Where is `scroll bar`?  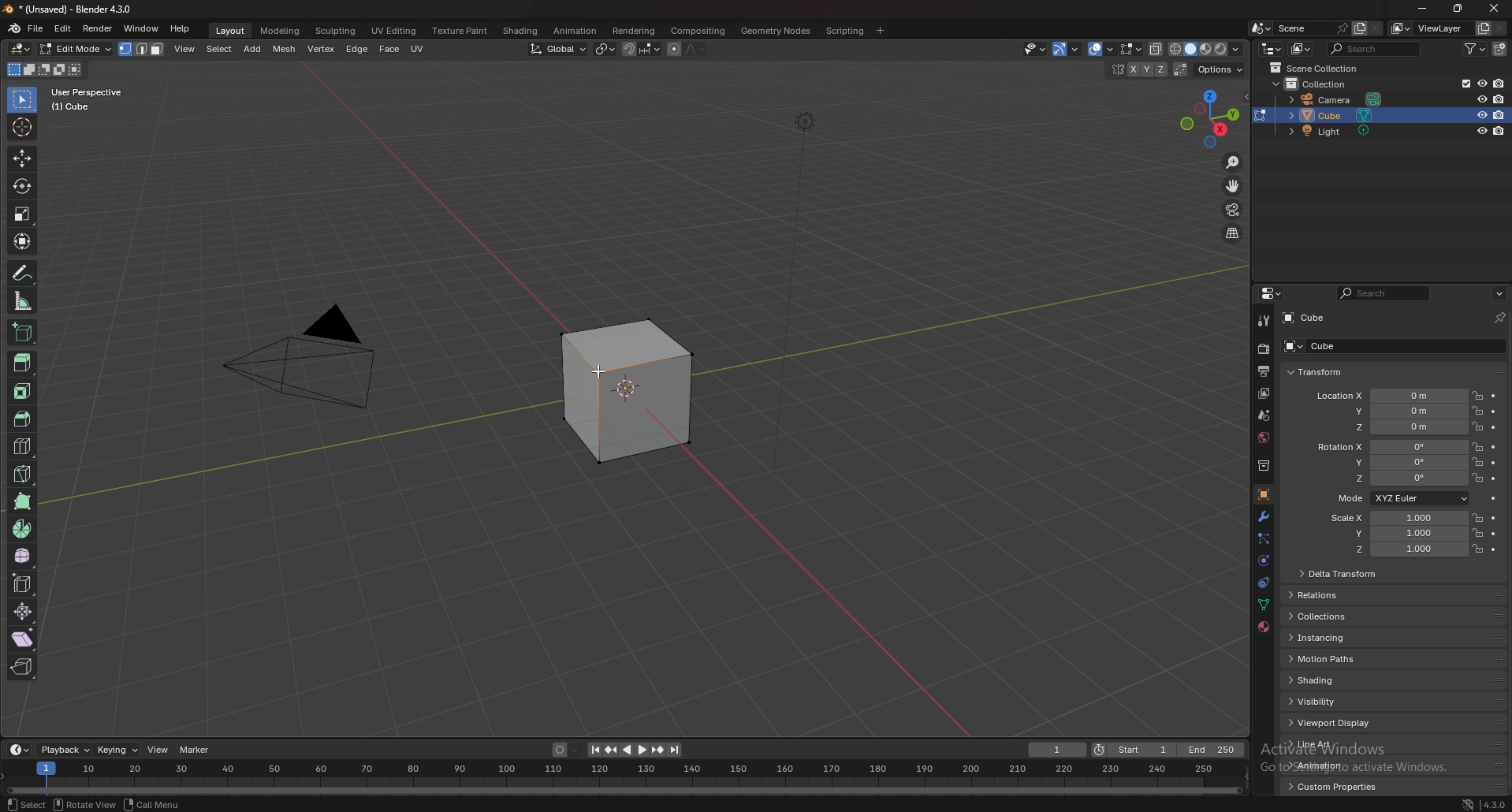 scroll bar is located at coordinates (1511, 557).